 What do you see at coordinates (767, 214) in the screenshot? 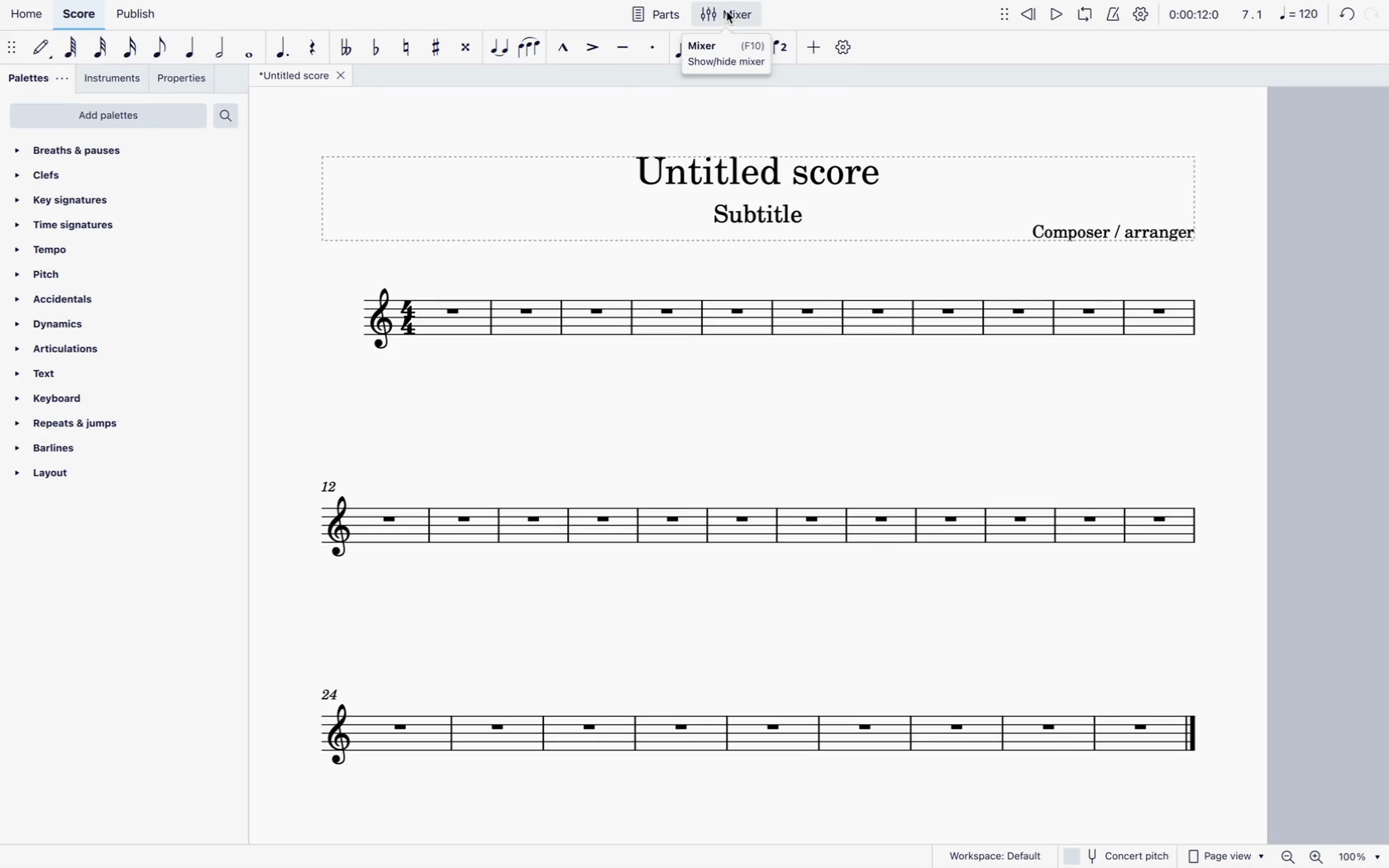
I see `score subtitle` at bounding box center [767, 214].